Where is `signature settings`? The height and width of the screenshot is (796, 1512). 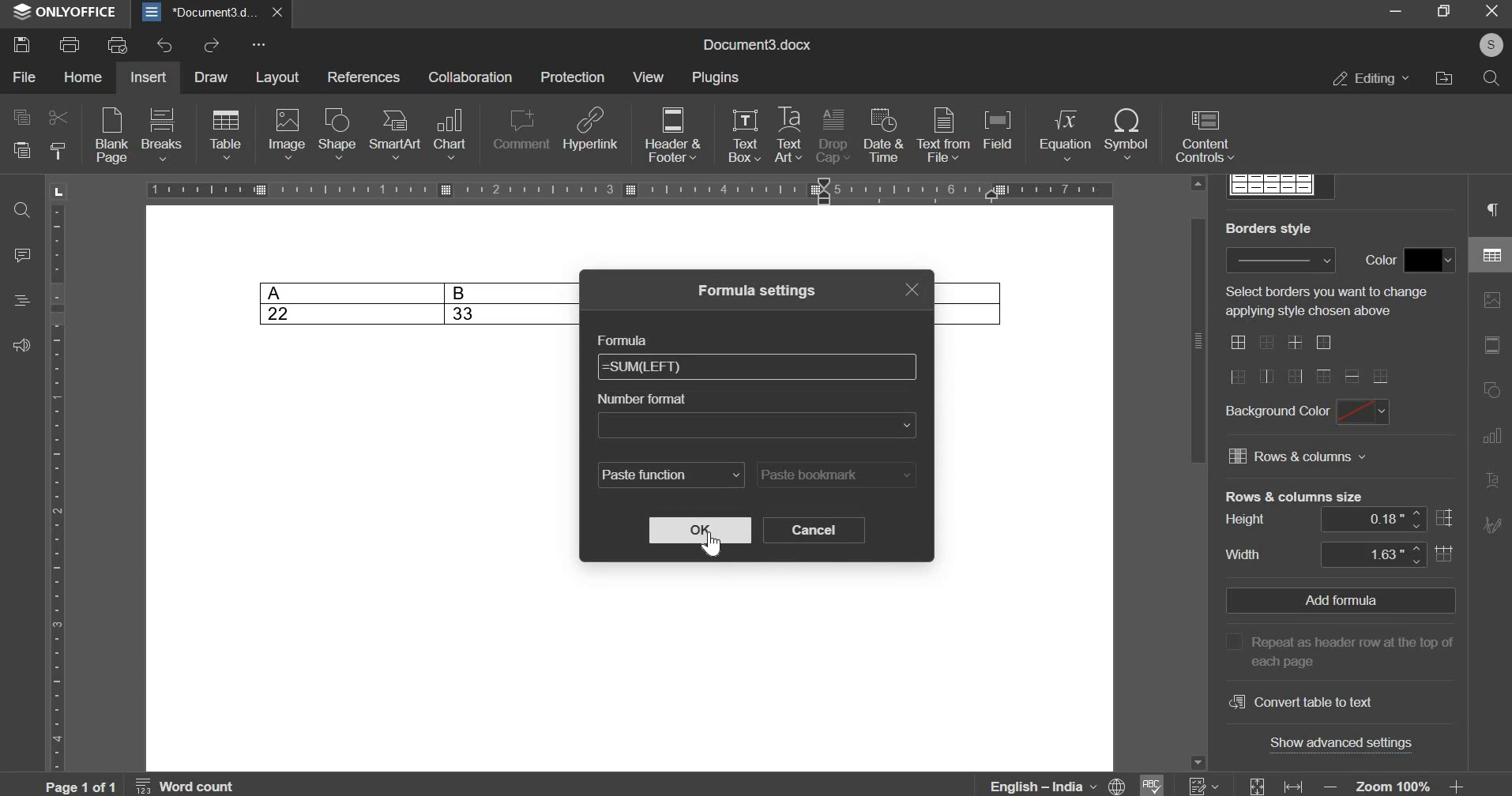 signature settings is located at coordinates (1492, 524).